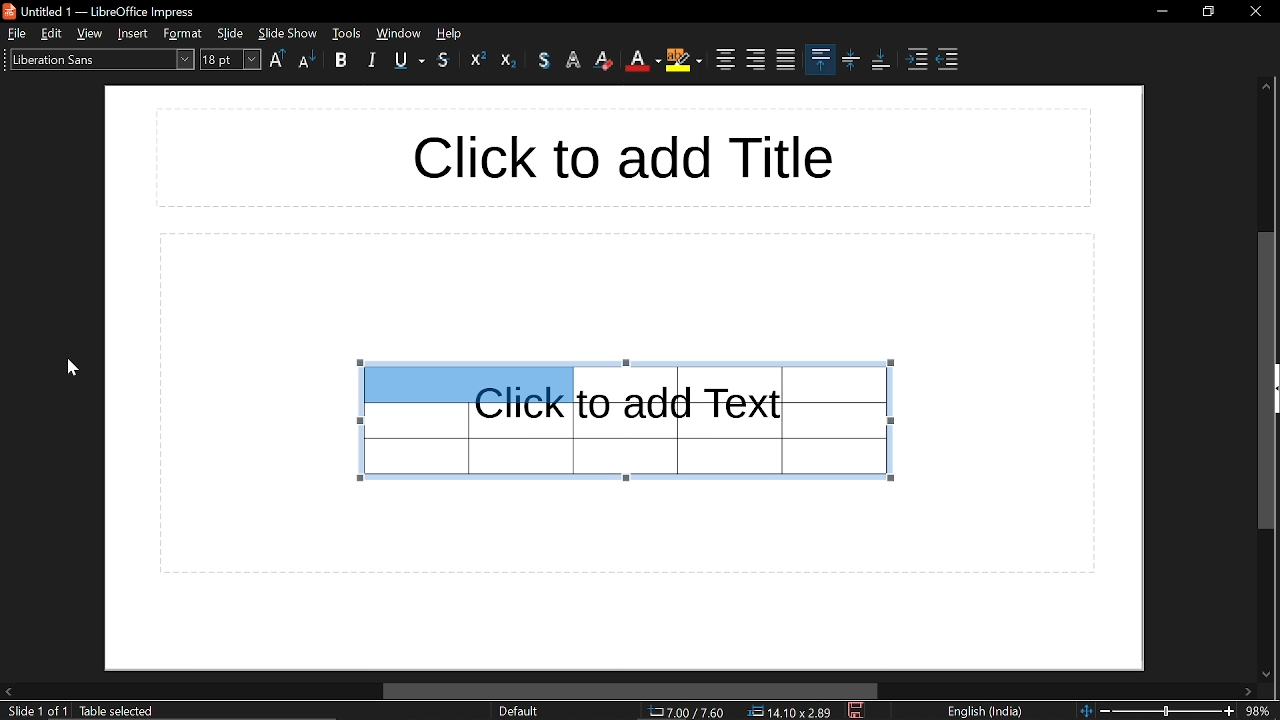 This screenshot has height=720, width=1280. Describe the element at coordinates (231, 61) in the screenshot. I see `text size` at that location.